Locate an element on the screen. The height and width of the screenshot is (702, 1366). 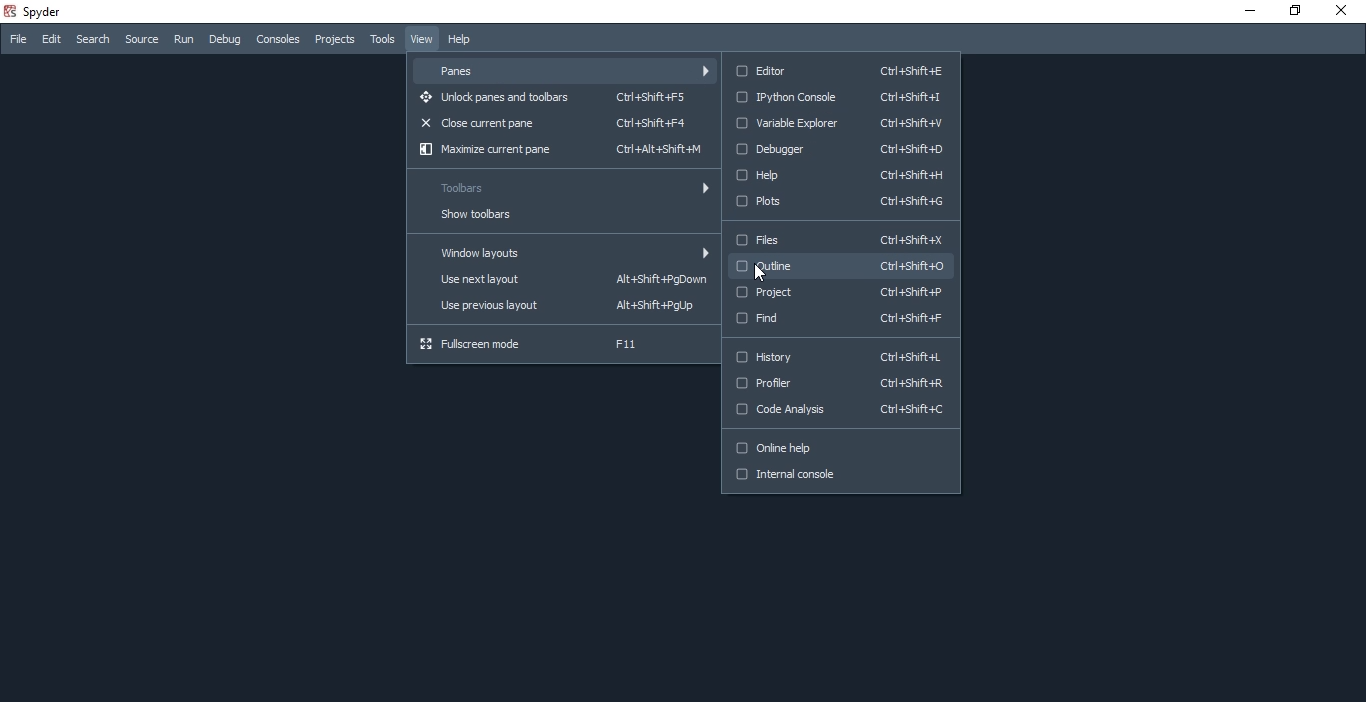
Variable Explorer is located at coordinates (840, 125).